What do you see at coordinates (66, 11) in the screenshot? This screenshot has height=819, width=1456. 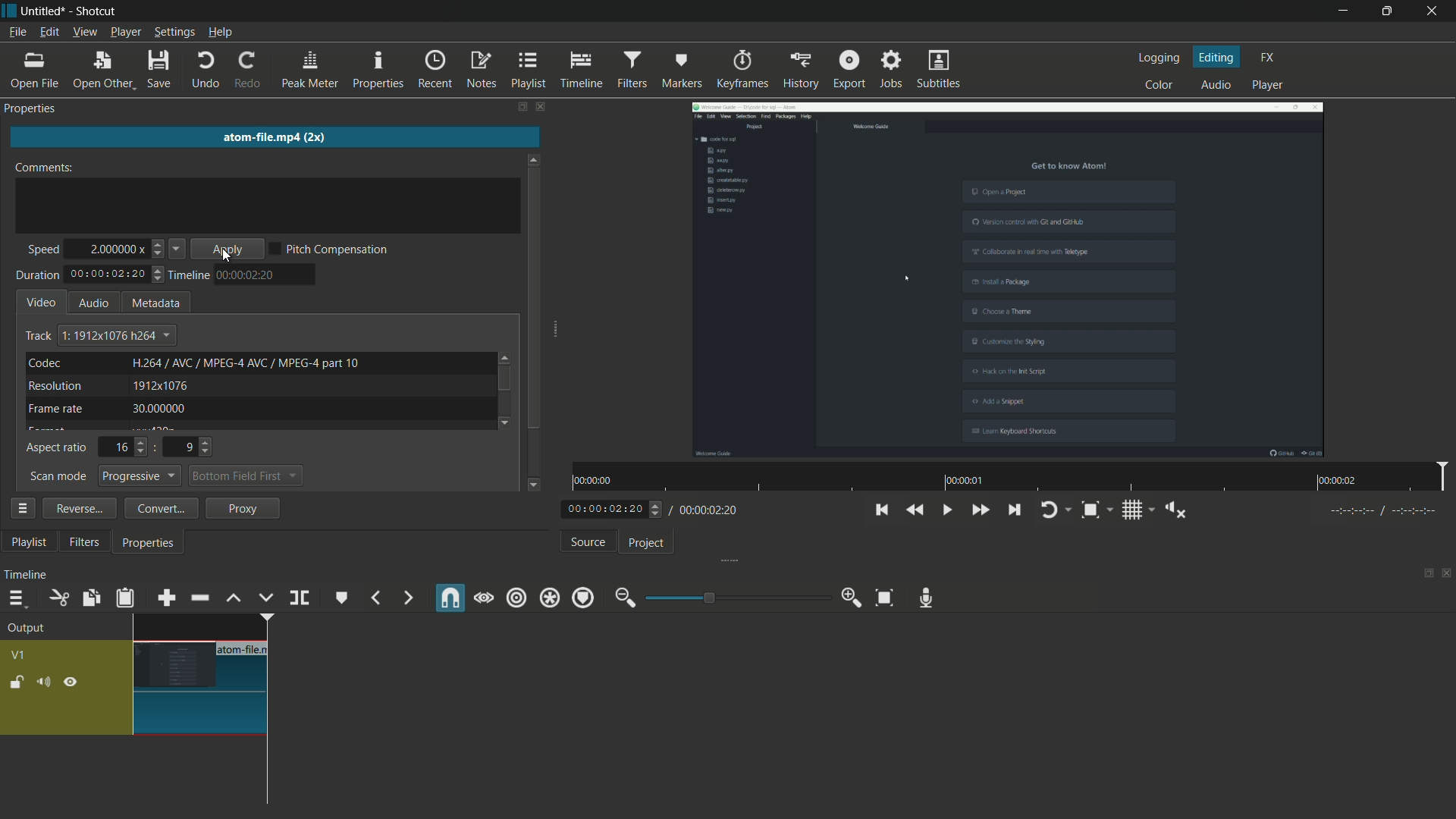 I see `~ Untitled* - Shotcut` at bounding box center [66, 11].